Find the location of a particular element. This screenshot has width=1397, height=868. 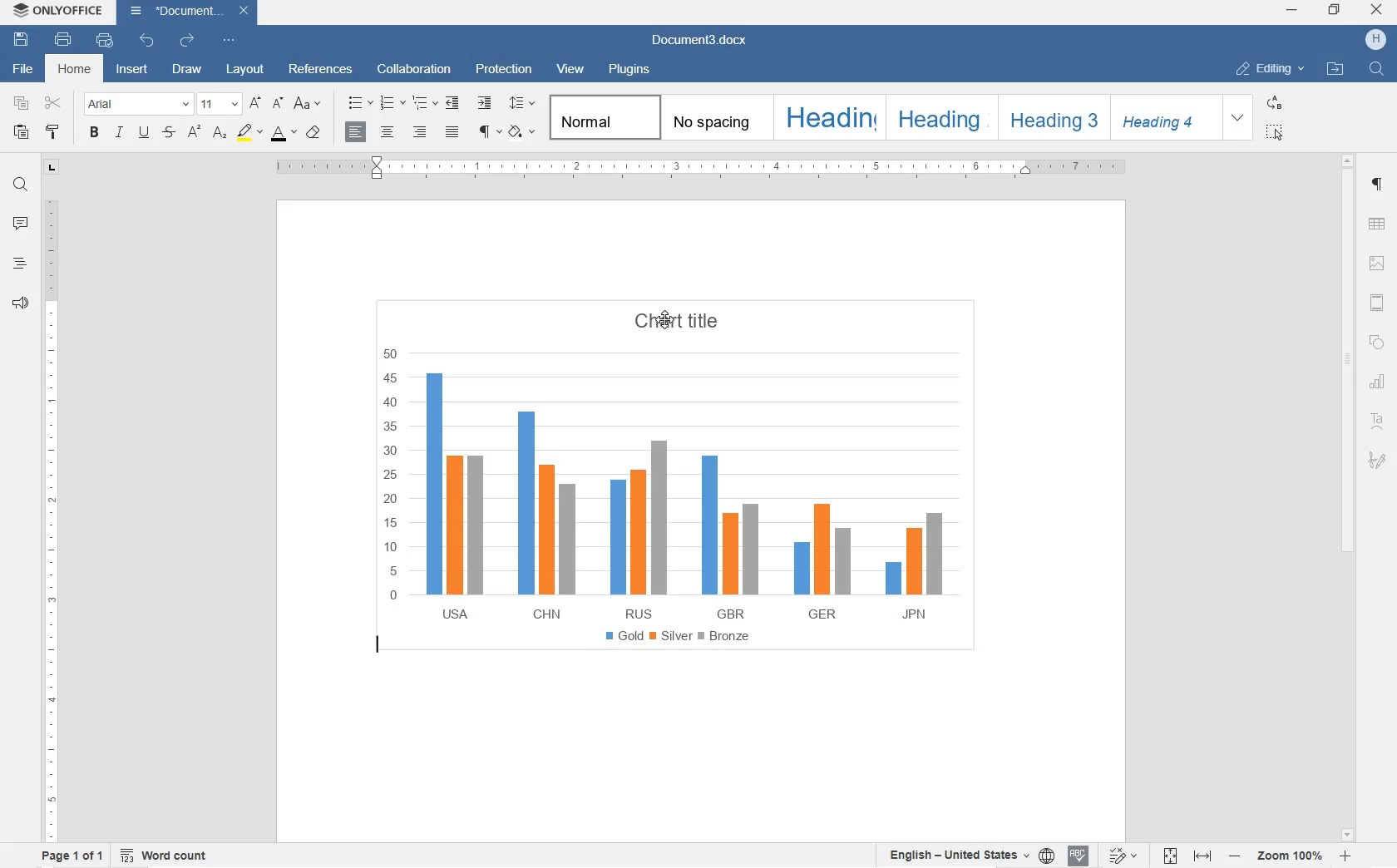

COMMENT is located at coordinates (21, 223).